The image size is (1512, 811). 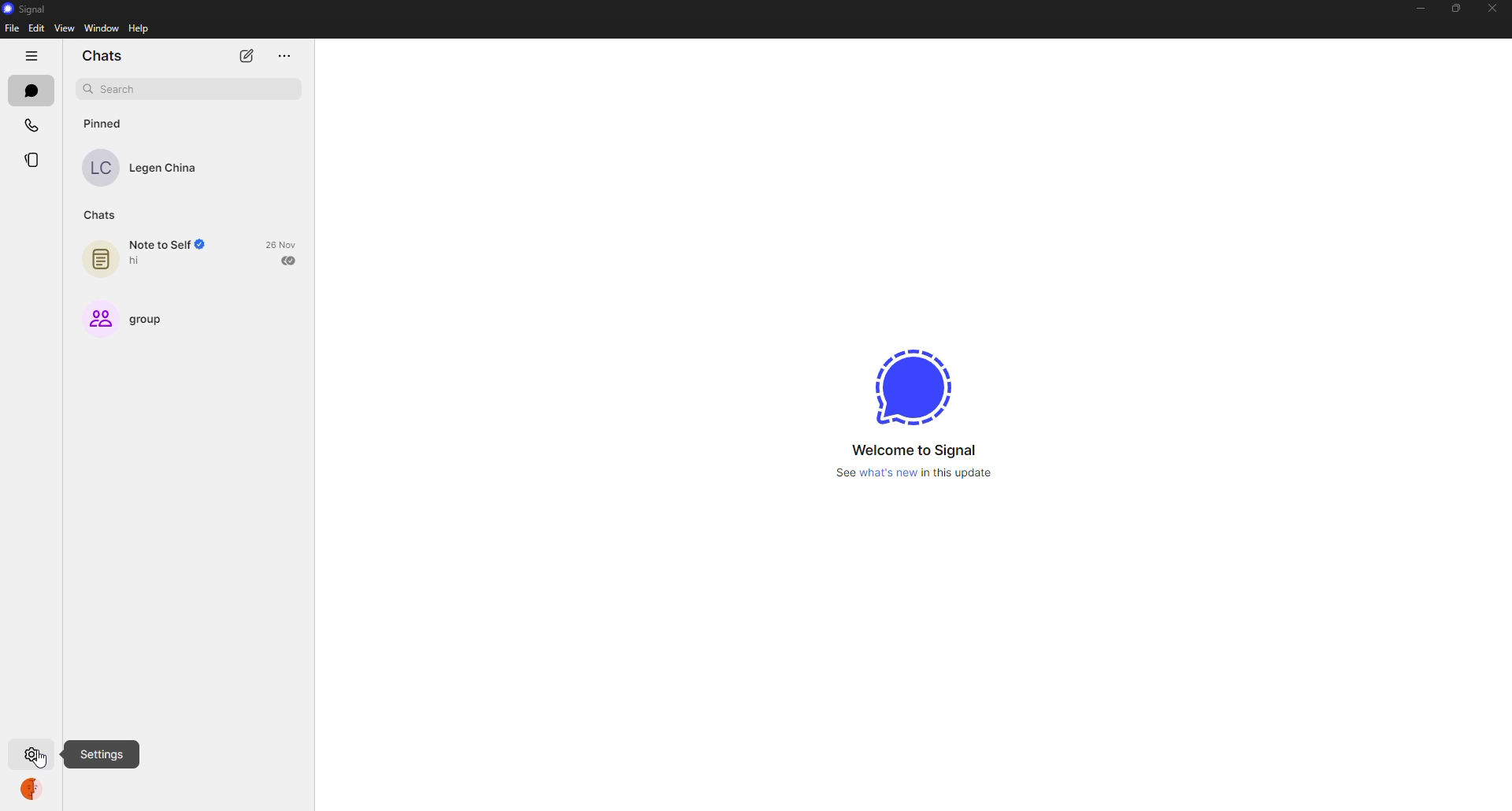 I want to click on pinned, so click(x=103, y=123).